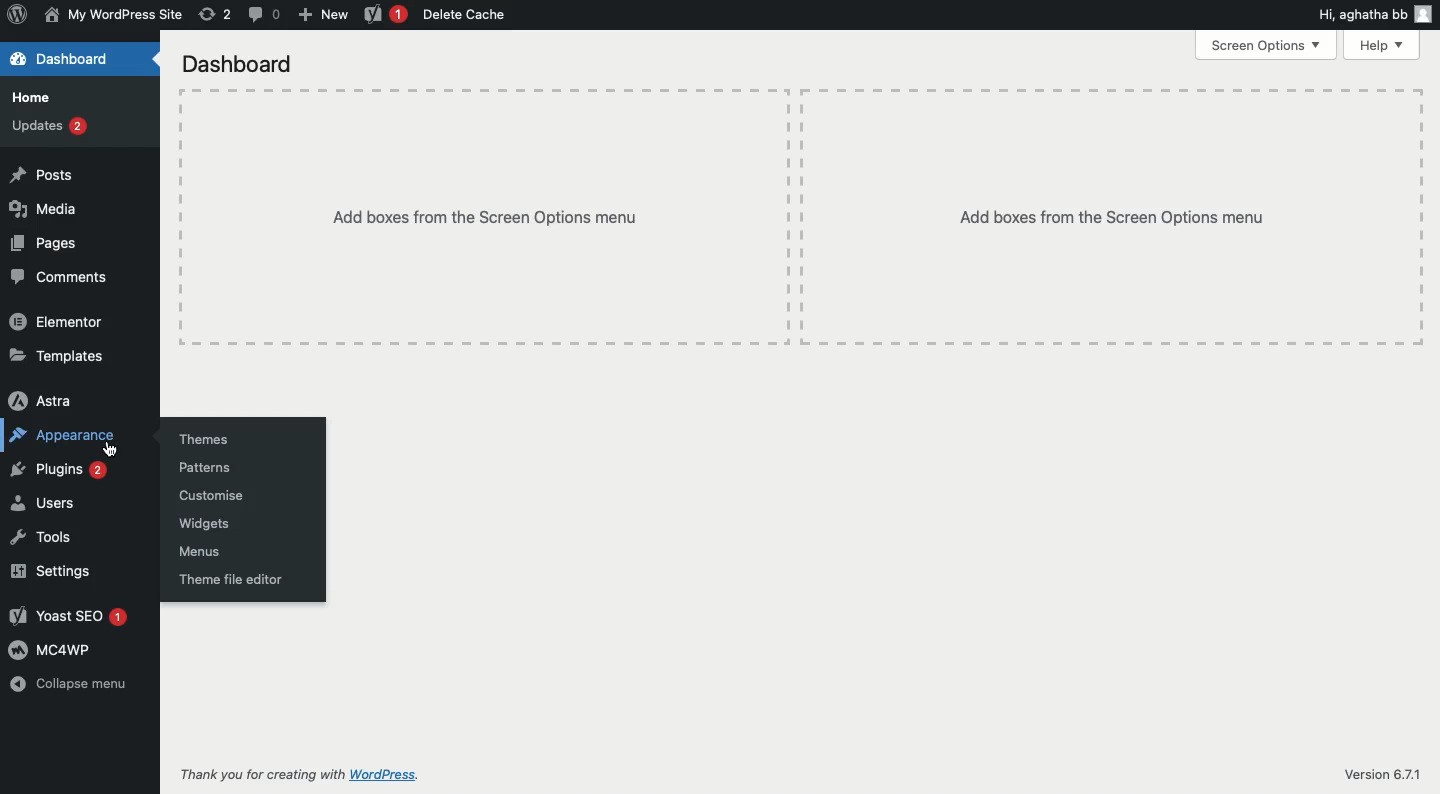 Image resolution: width=1440 pixels, height=794 pixels. Describe the element at coordinates (44, 209) in the screenshot. I see `Media` at that location.